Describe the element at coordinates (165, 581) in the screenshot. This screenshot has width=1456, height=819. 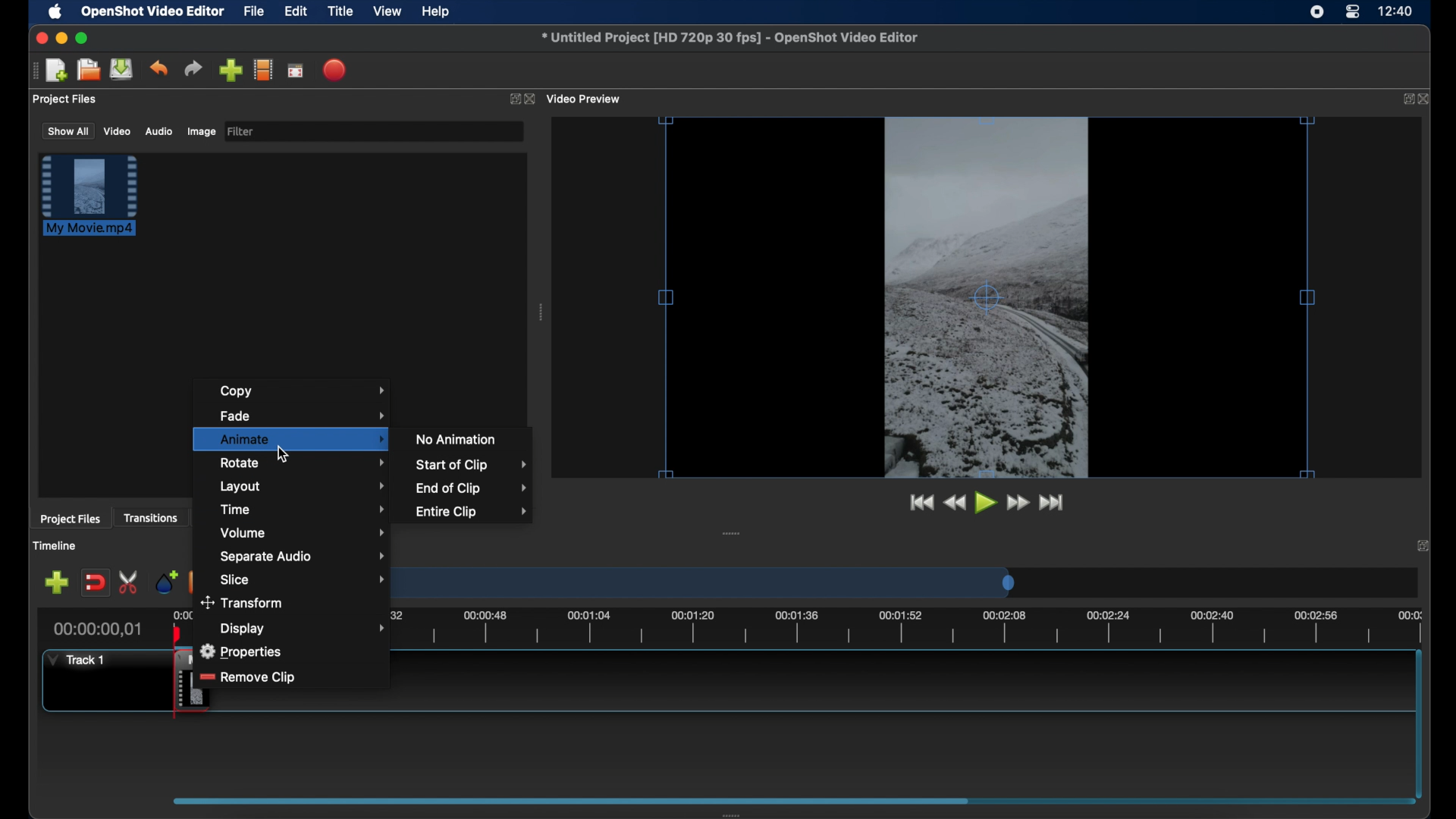
I see `add marker` at that location.